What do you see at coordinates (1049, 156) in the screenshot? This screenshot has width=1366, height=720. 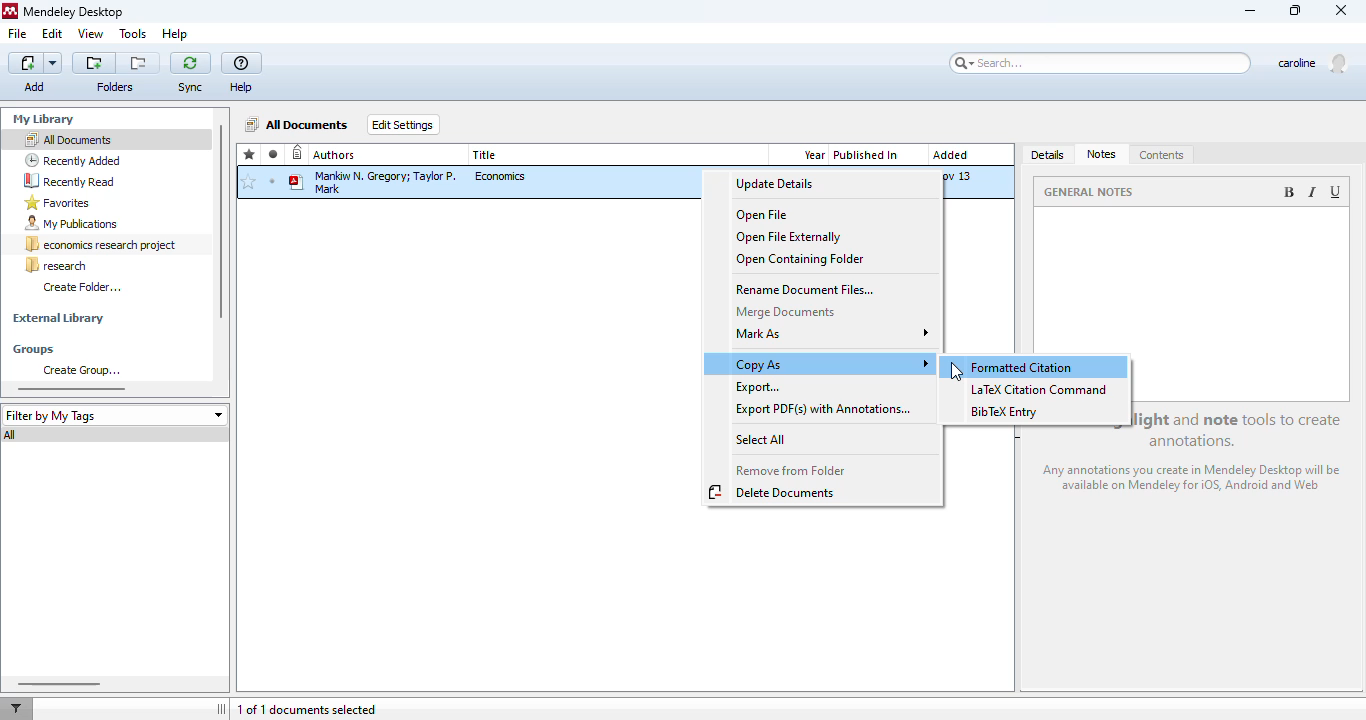 I see `details` at bounding box center [1049, 156].